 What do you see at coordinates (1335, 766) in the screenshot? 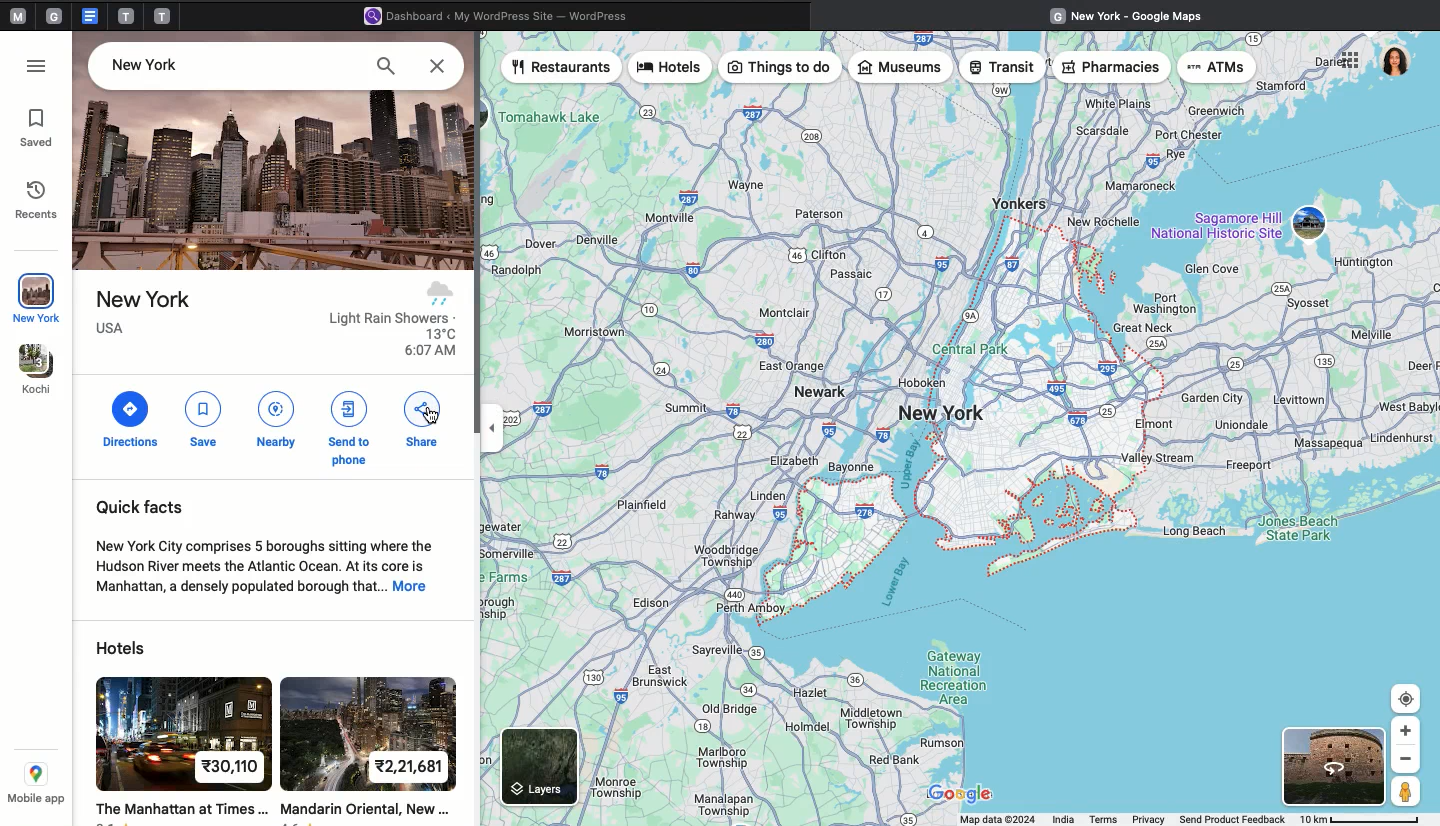
I see `Satelite` at bounding box center [1335, 766].